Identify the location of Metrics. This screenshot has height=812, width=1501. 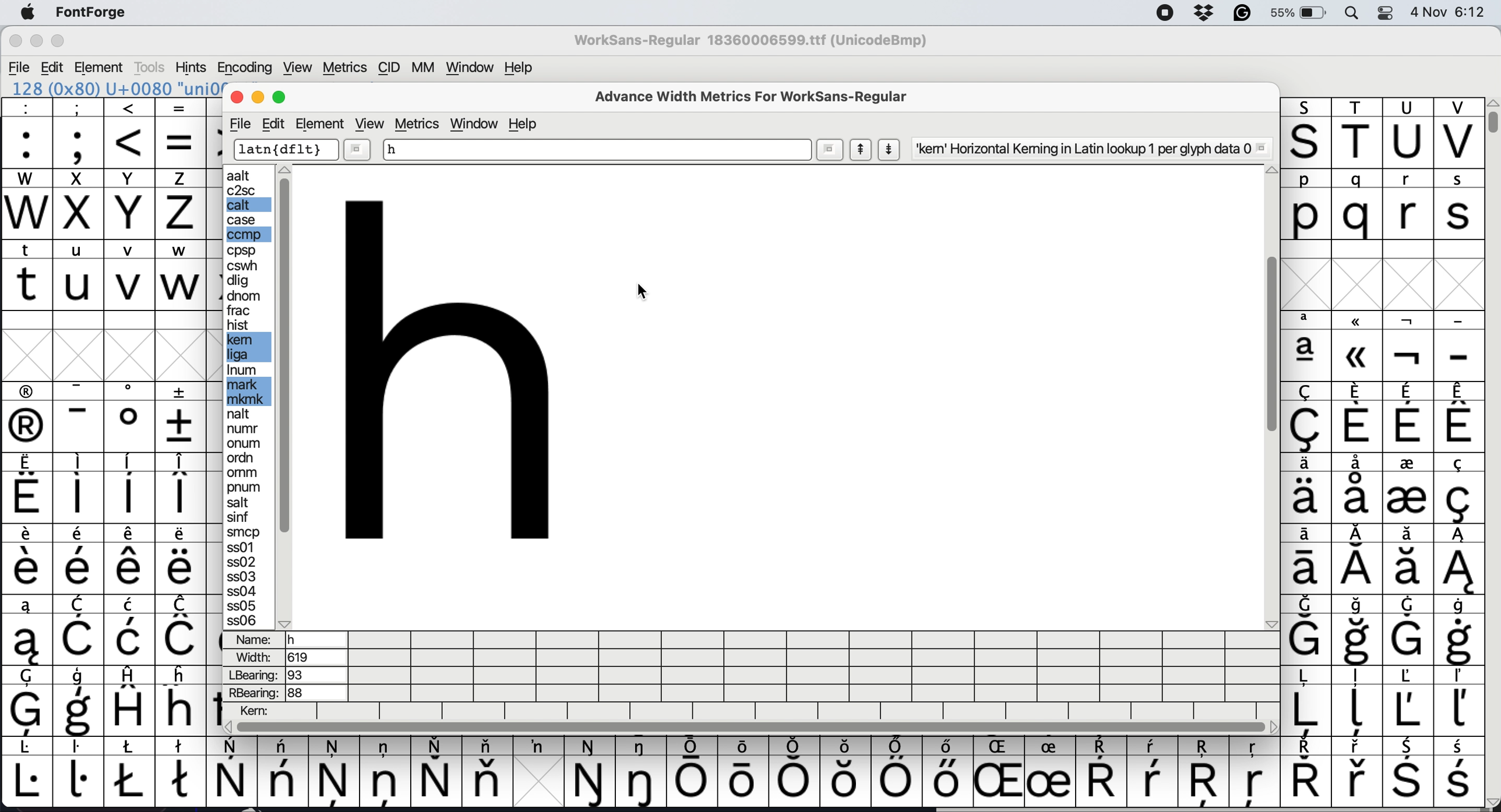
(346, 66).